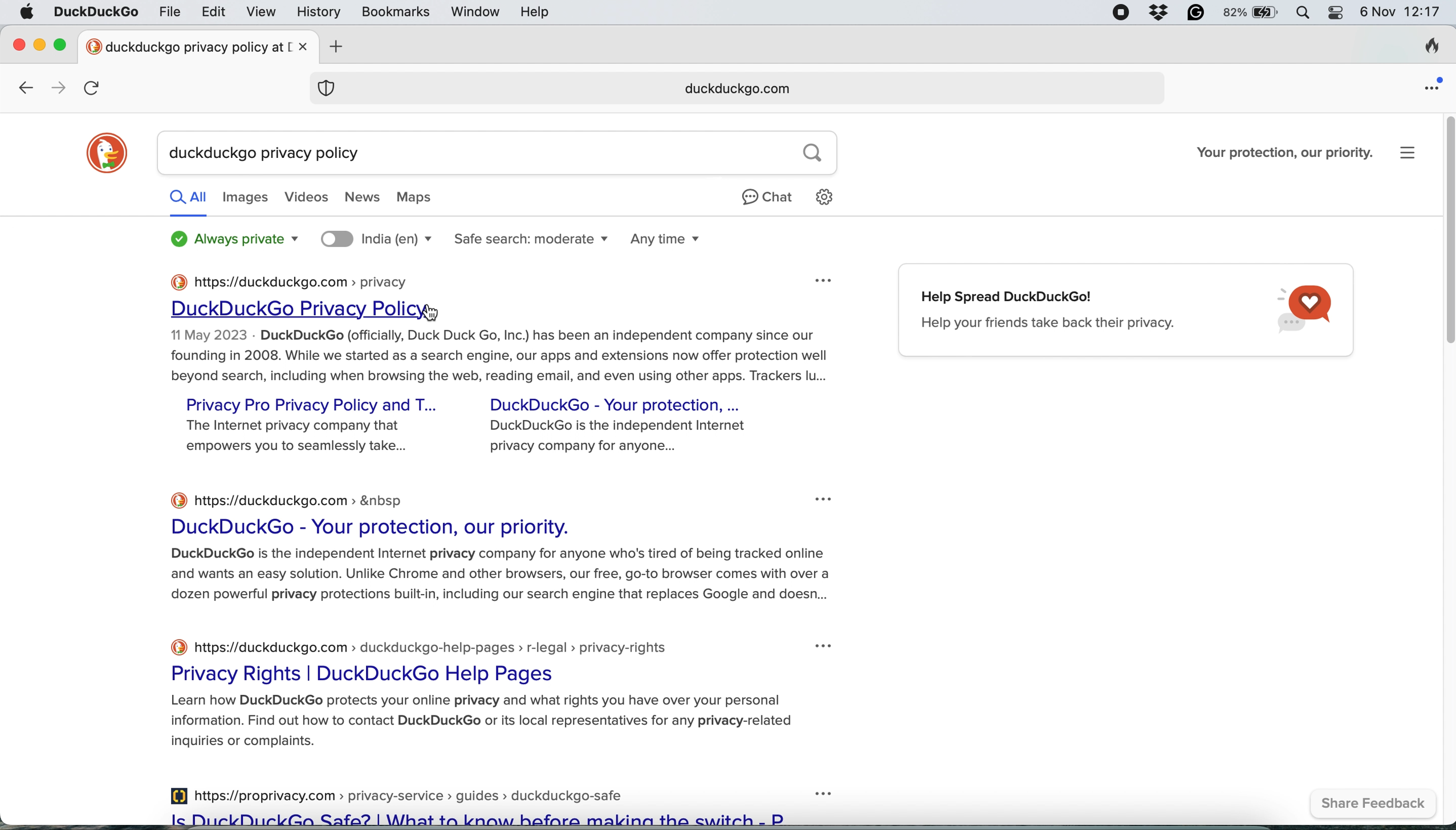  I want to click on news, so click(363, 198).